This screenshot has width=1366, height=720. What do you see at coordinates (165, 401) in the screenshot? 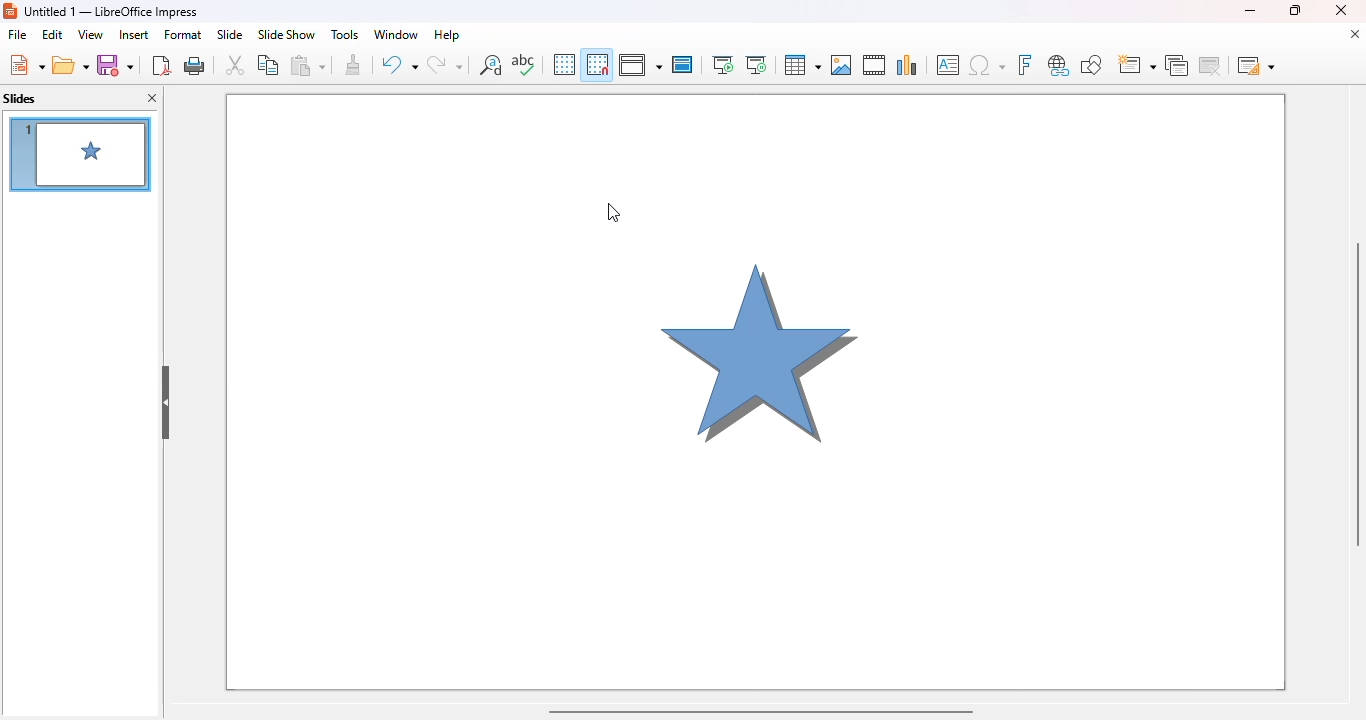
I see `hide` at bounding box center [165, 401].